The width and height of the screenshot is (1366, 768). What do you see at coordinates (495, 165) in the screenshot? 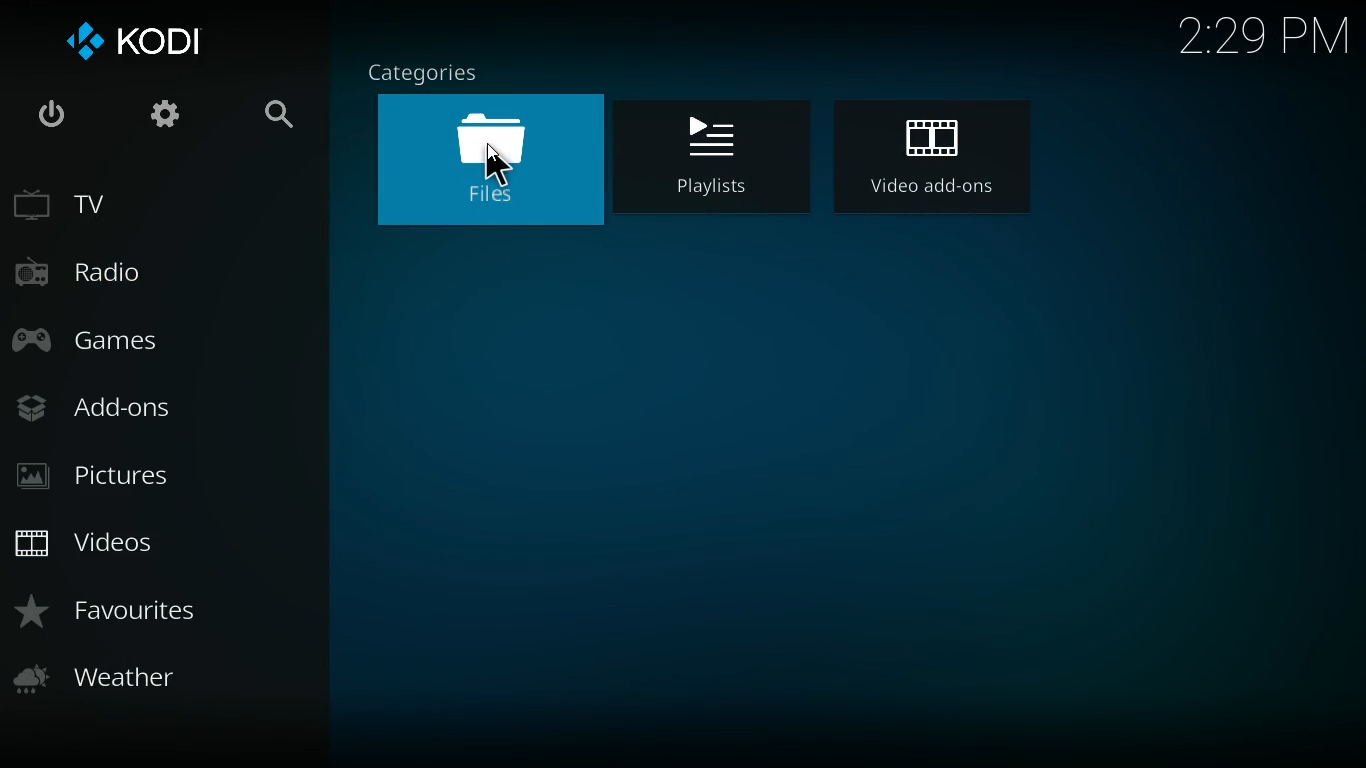
I see `Cursor` at bounding box center [495, 165].